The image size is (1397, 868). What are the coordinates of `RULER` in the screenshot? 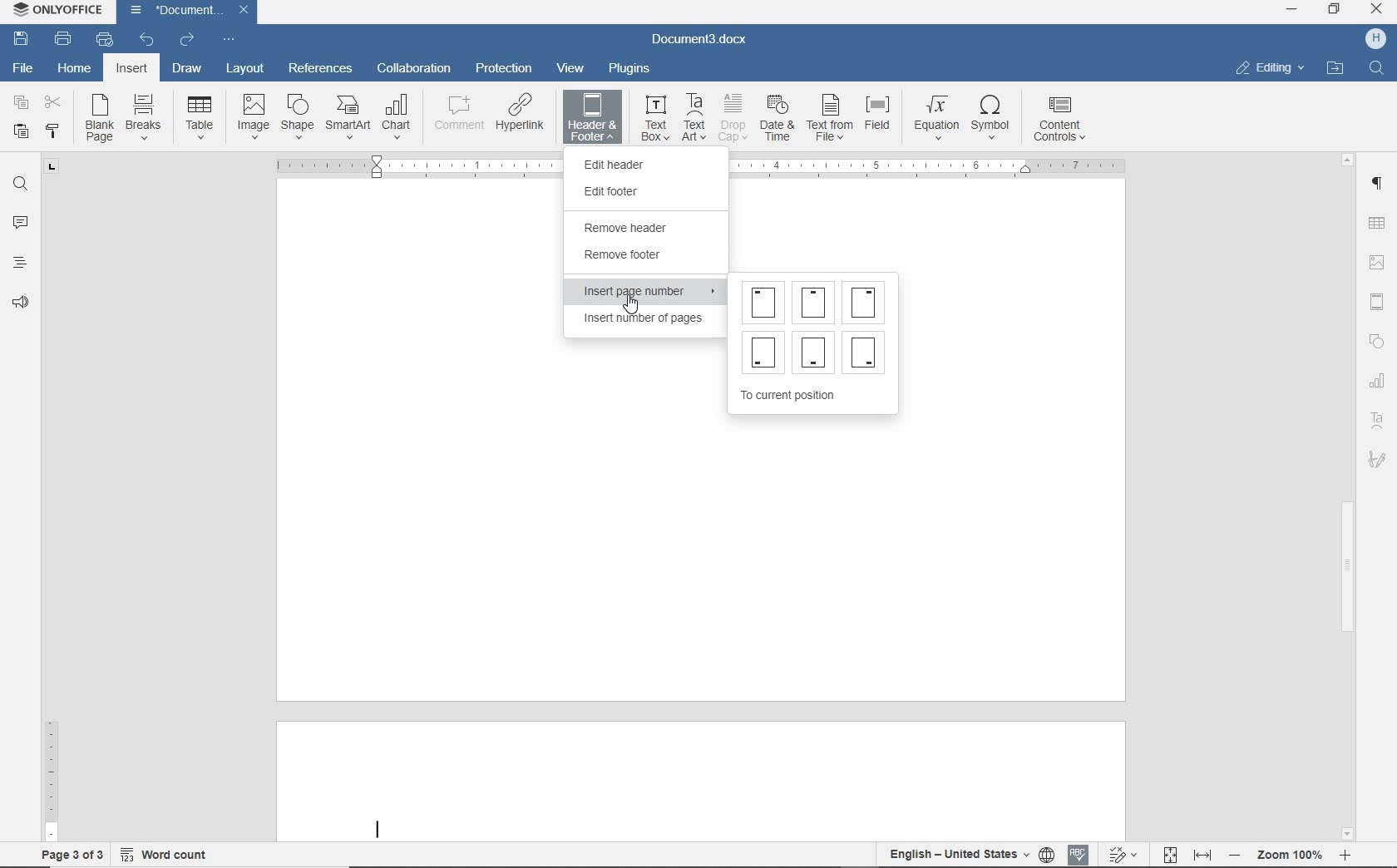 It's located at (51, 747).